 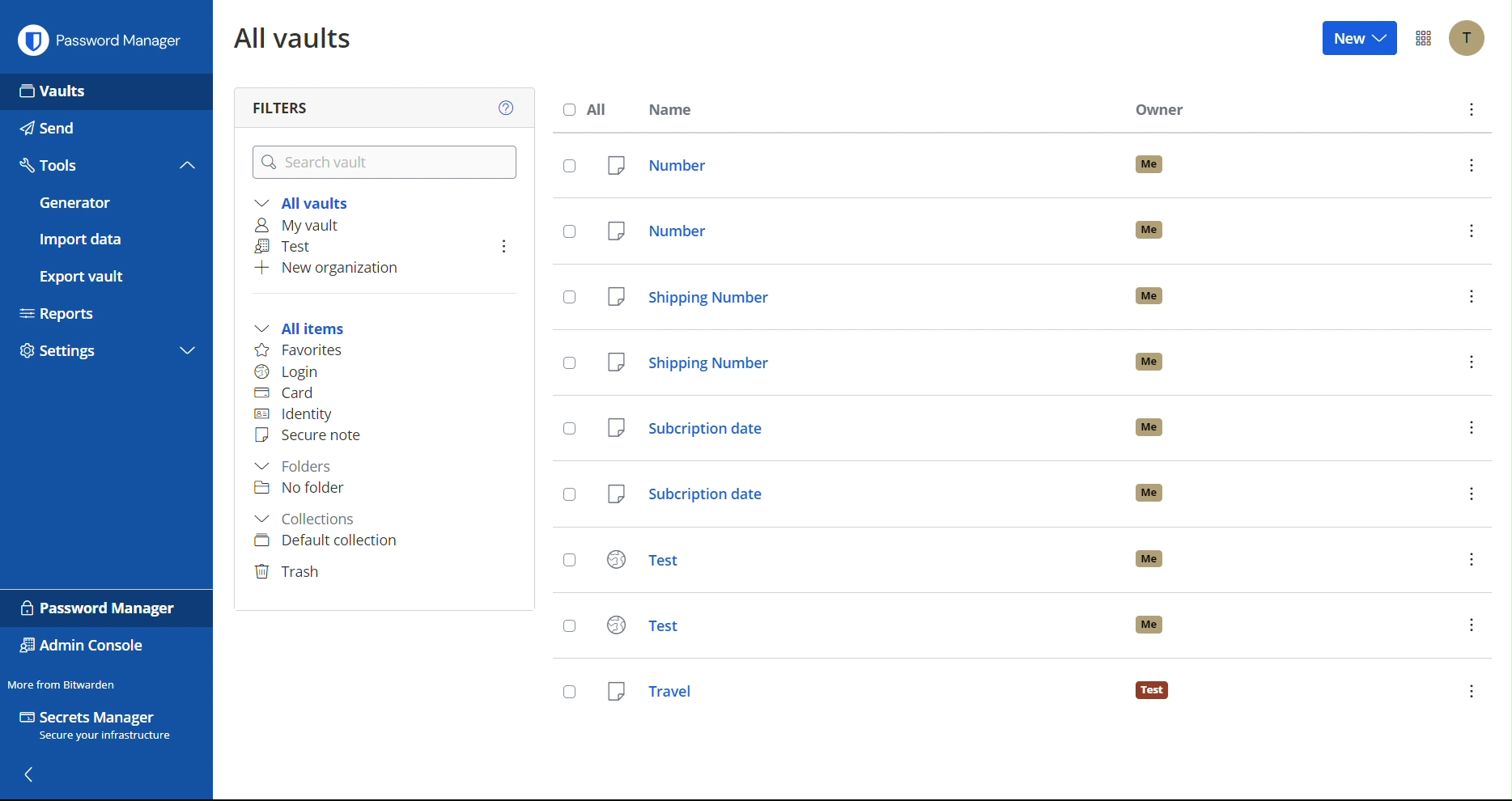 What do you see at coordinates (30, 777) in the screenshot?
I see `back` at bounding box center [30, 777].